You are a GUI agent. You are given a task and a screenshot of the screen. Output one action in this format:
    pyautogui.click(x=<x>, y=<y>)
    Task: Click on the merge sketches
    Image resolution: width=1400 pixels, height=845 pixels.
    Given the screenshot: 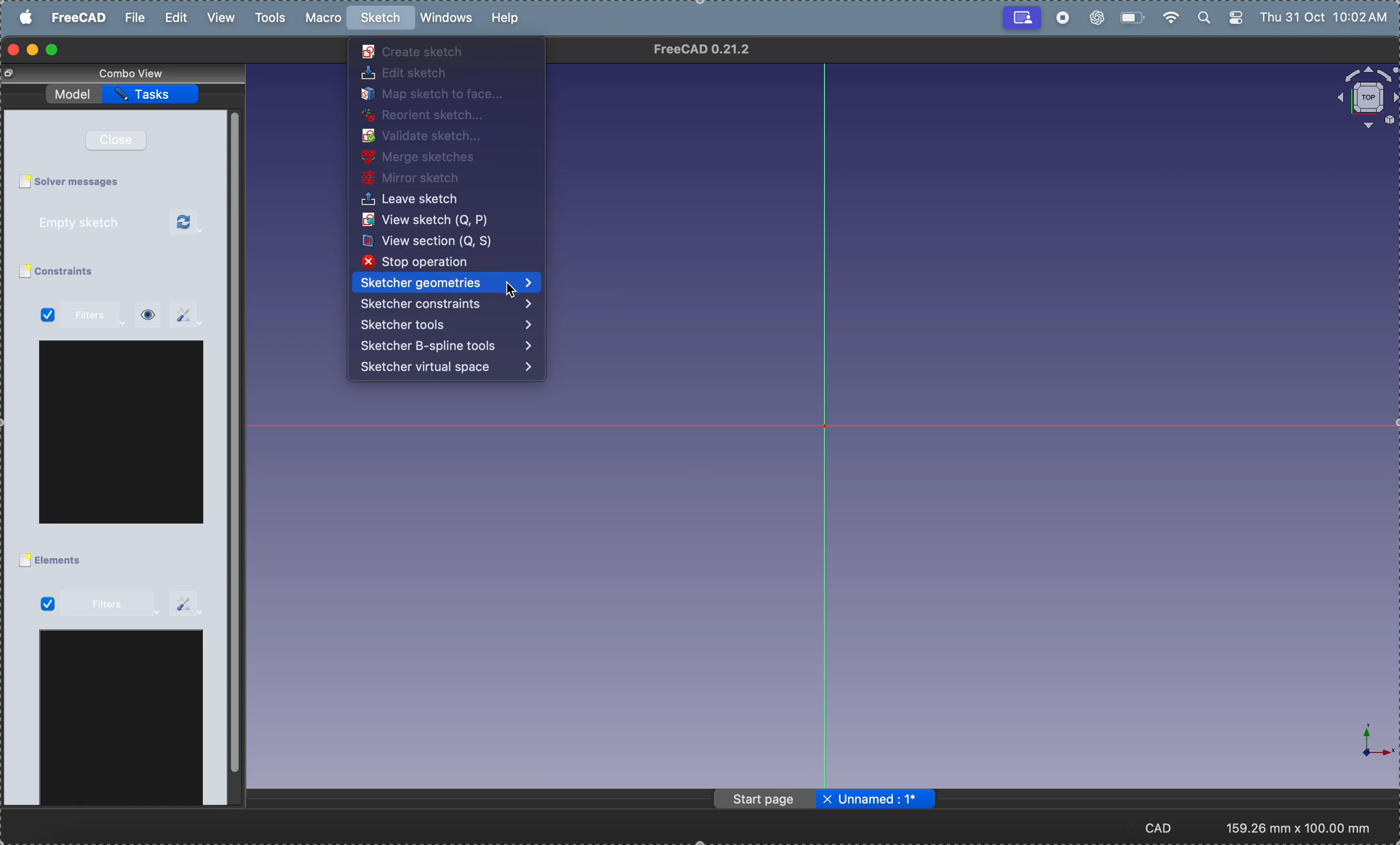 What is the action you would take?
    pyautogui.click(x=431, y=158)
    